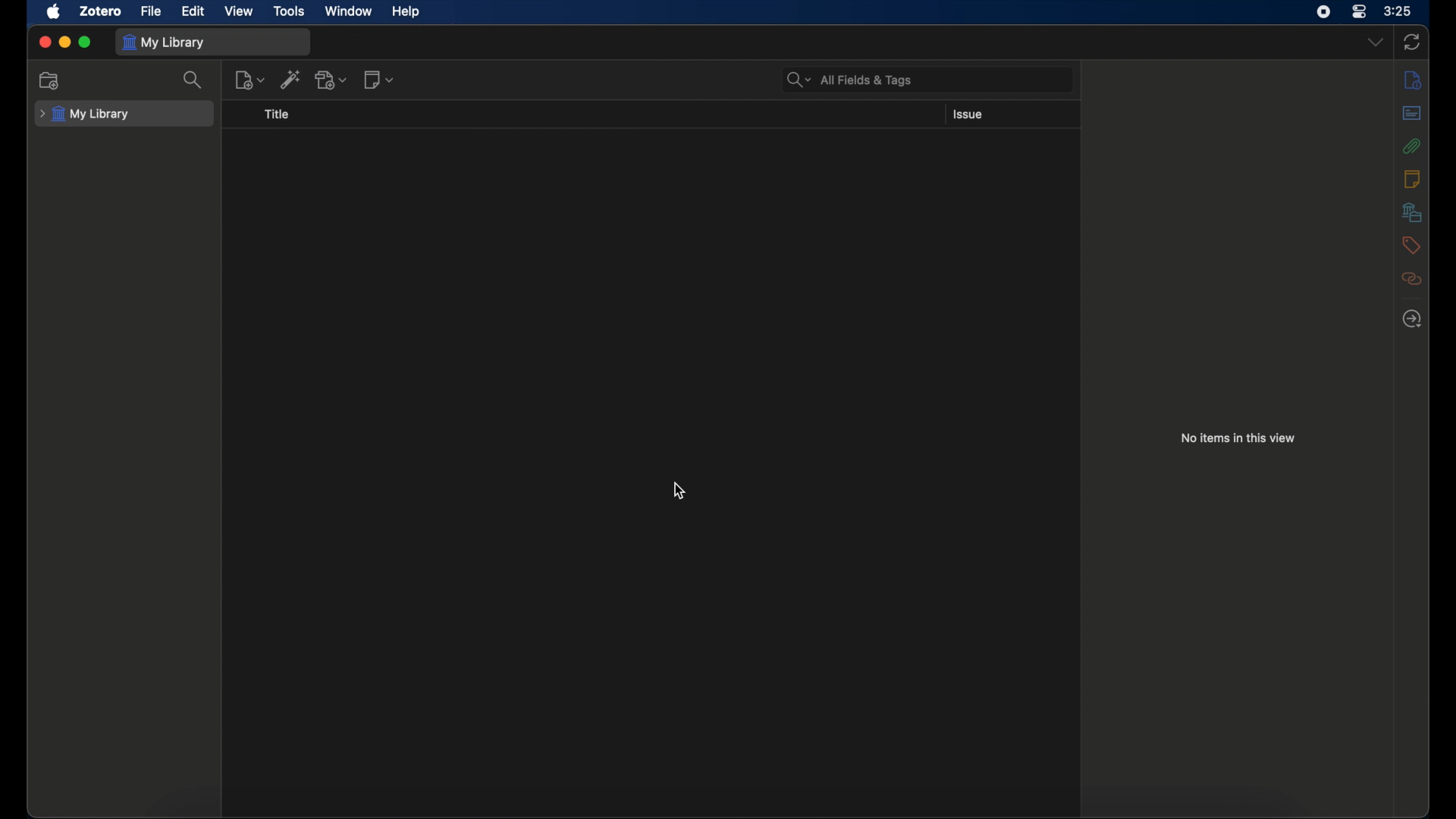  I want to click on zotero, so click(100, 11).